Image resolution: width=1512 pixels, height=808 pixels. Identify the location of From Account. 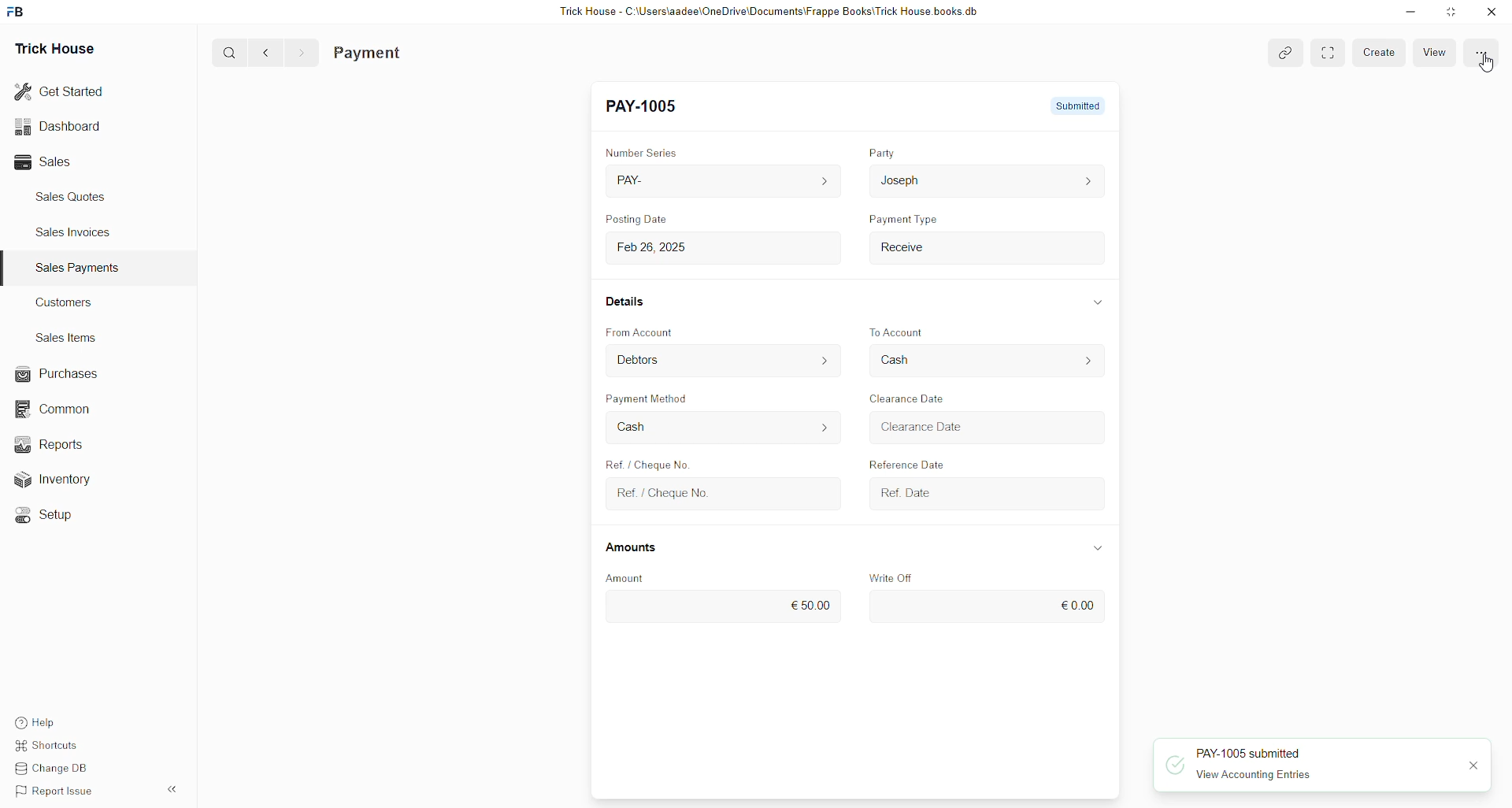
(723, 360).